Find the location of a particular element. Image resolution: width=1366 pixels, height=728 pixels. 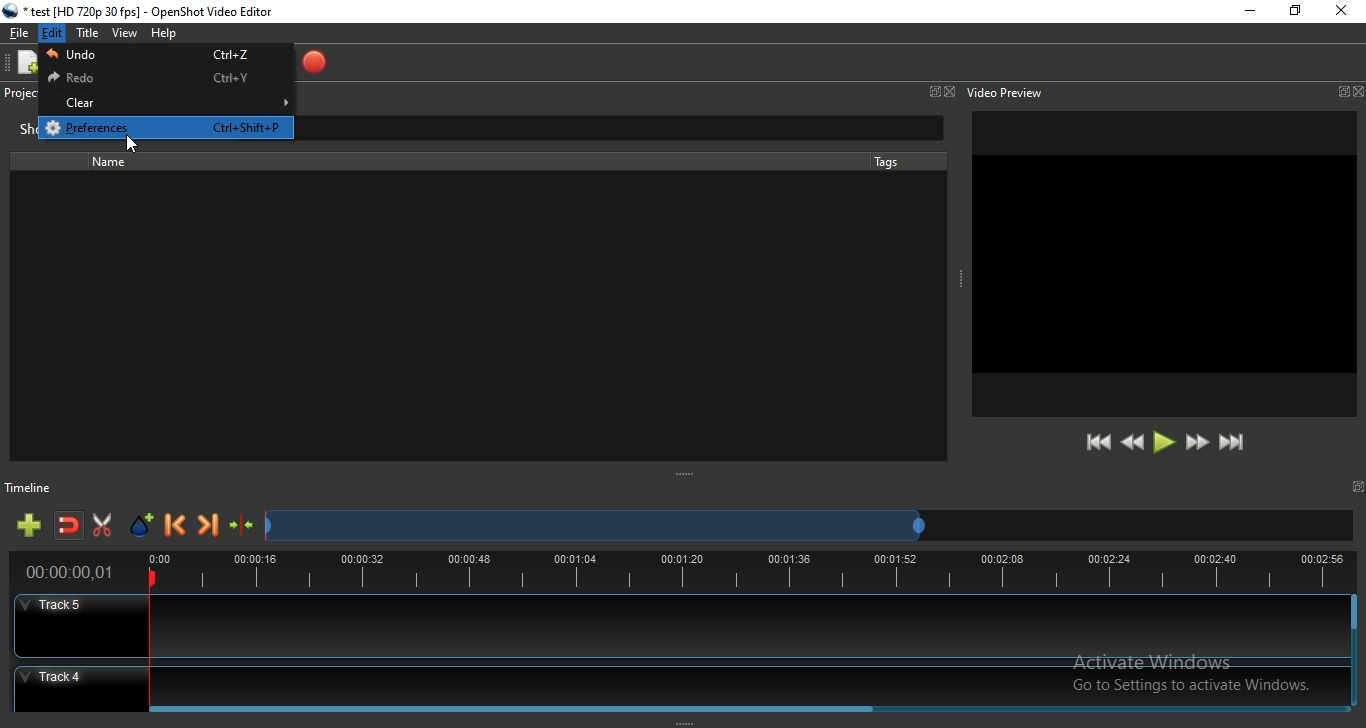

preference is located at coordinates (170, 127).